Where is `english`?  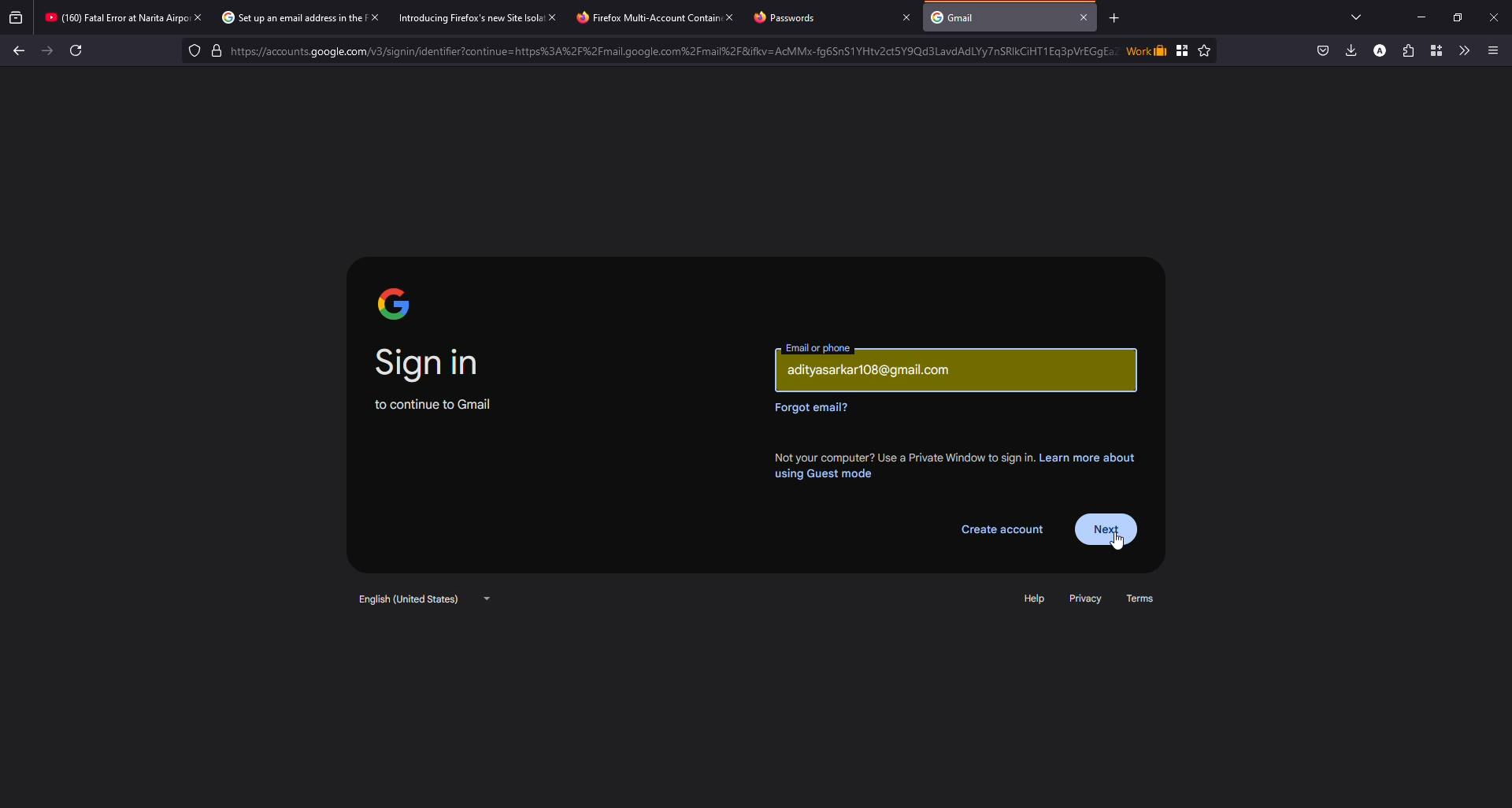
english is located at coordinates (422, 599).